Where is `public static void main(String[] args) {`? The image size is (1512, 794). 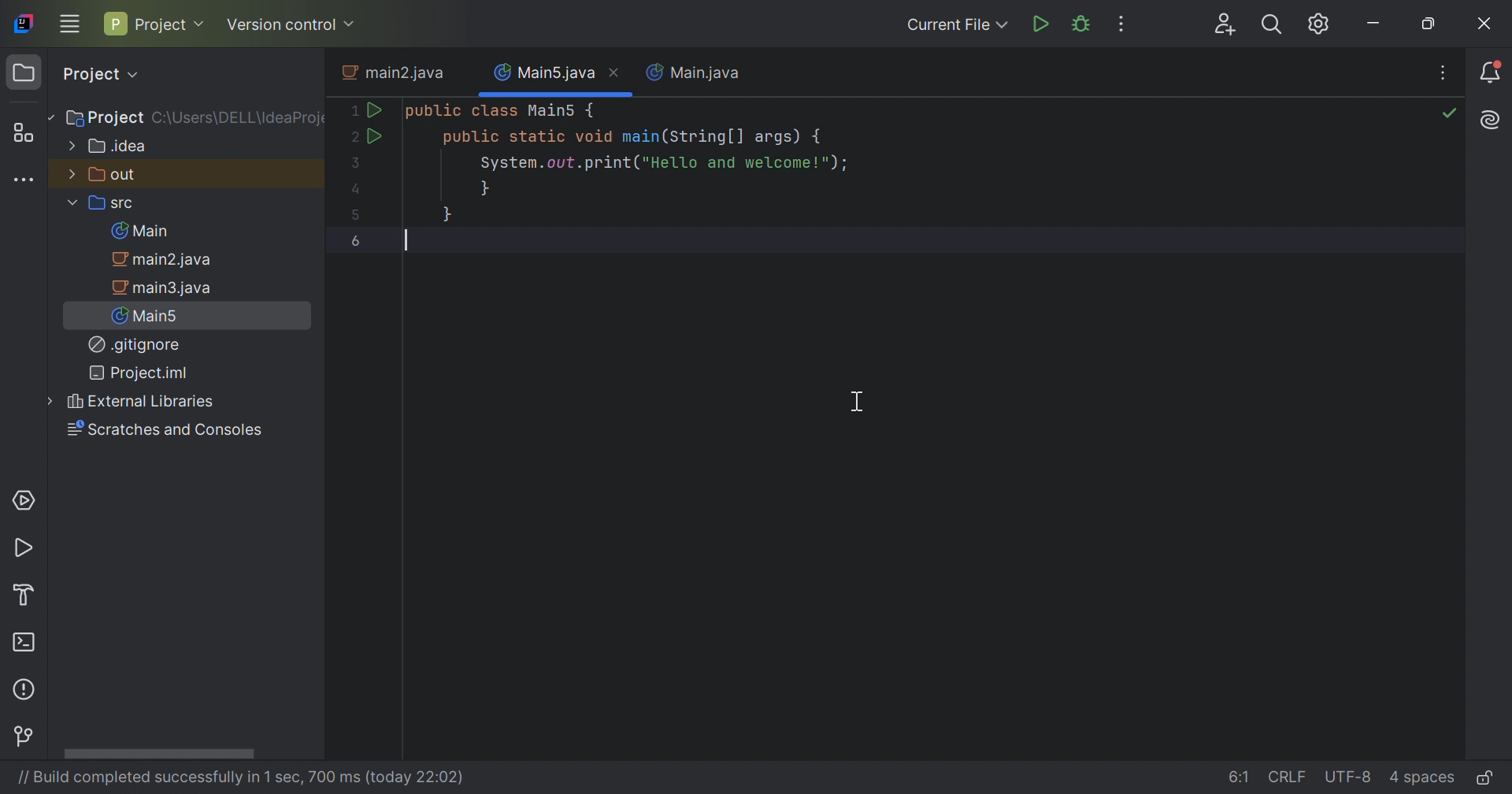 public static void main(String[] args) { is located at coordinates (634, 137).